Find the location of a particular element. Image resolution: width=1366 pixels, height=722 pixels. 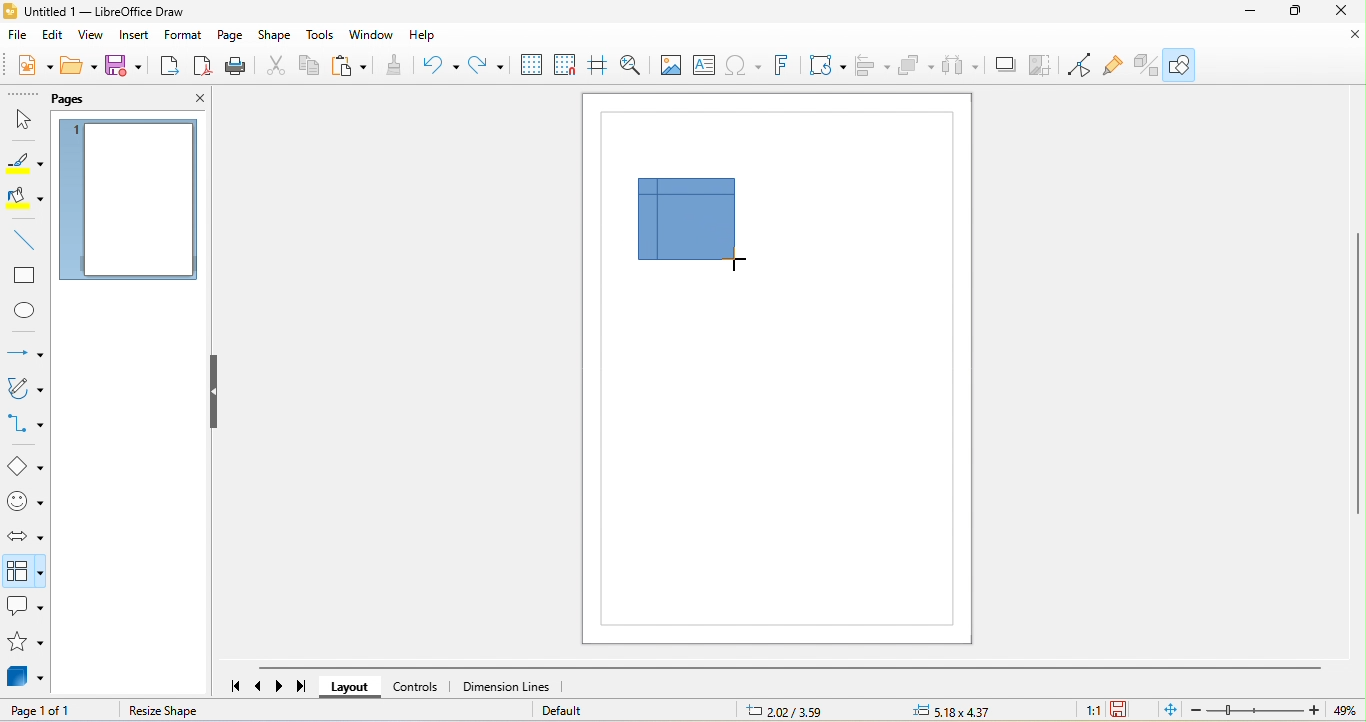

special character is located at coordinates (745, 68).